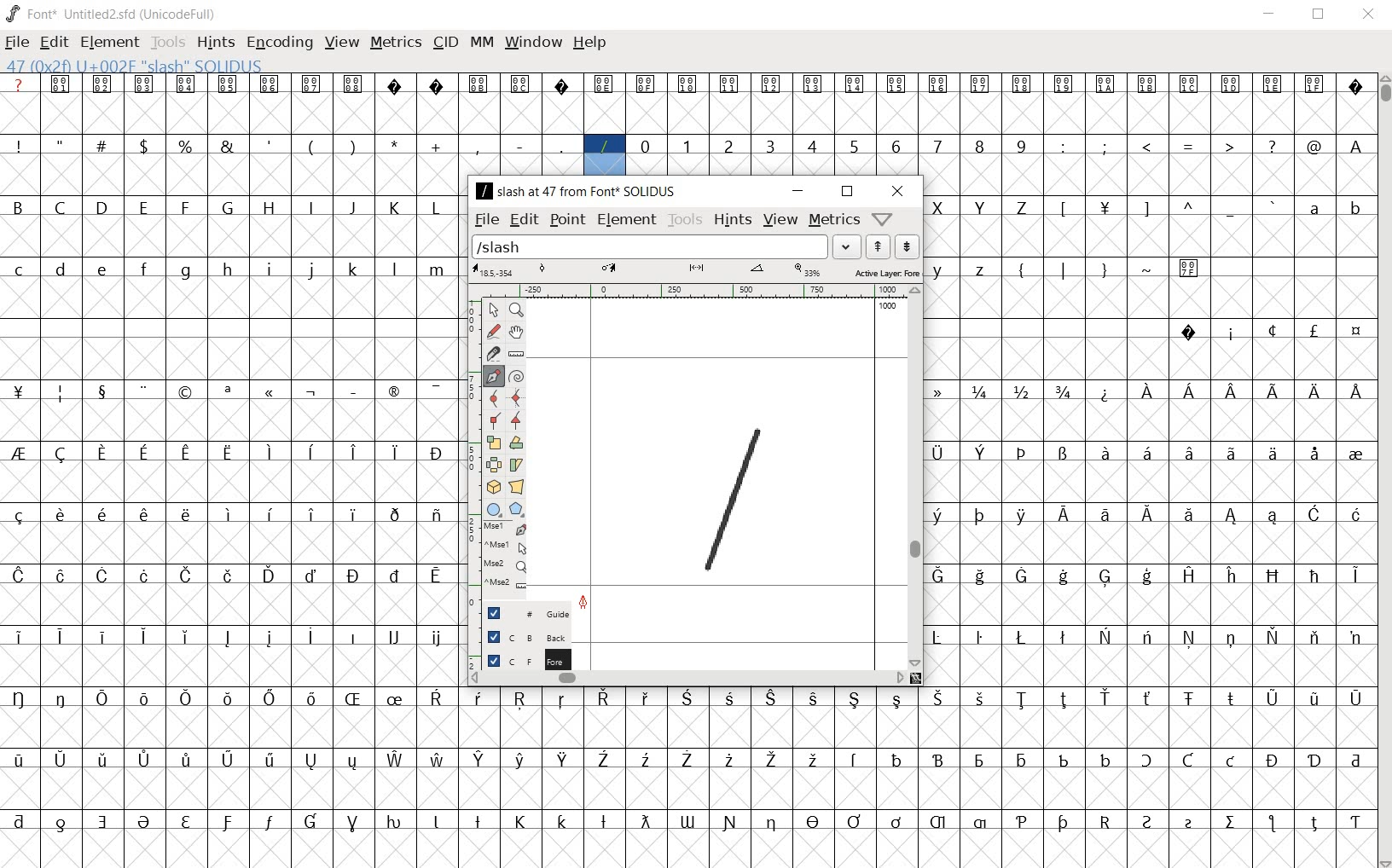  What do you see at coordinates (900, 192) in the screenshot?
I see `close` at bounding box center [900, 192].